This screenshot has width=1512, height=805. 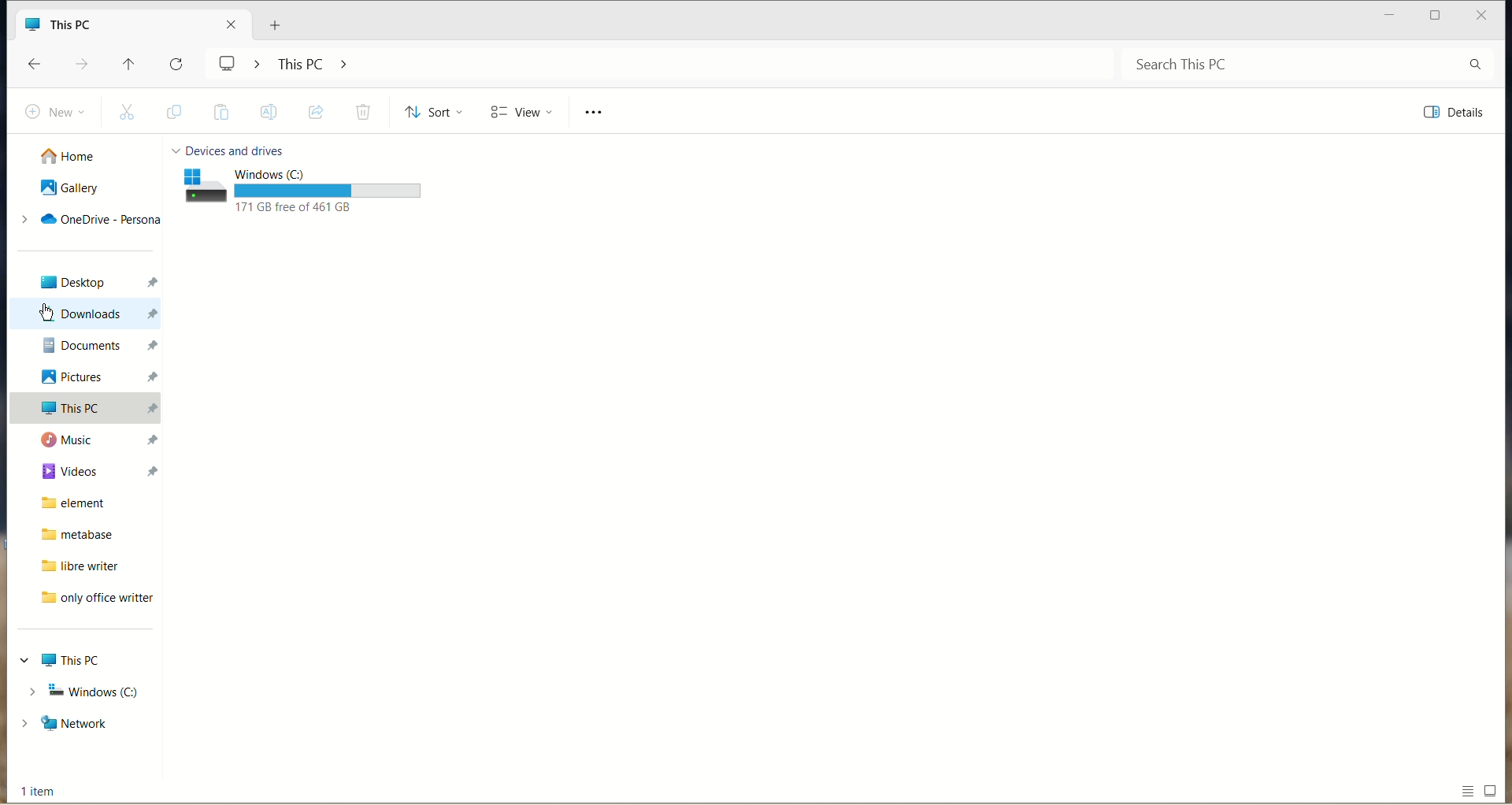 What do you see at coordinates (74, 566) in the screenshot?
I see `libre writer` at bounding box center [74, 566].